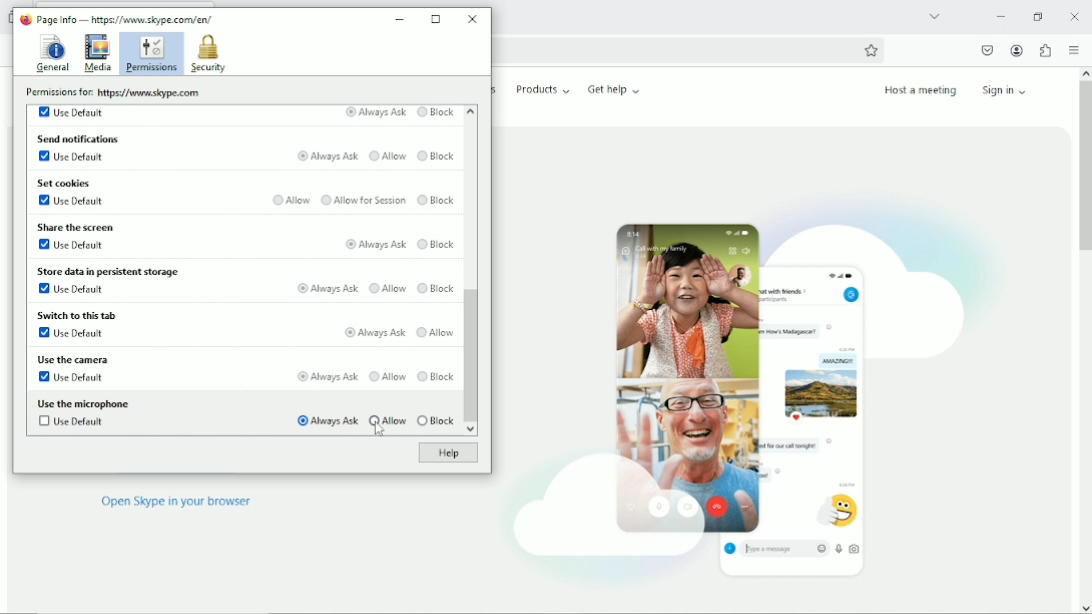 This screenshot has height=614, width=1092. What do you see at coordinates (326, 287) in the screenshot?
I see `Always ask` at bounding box center [326, 287].